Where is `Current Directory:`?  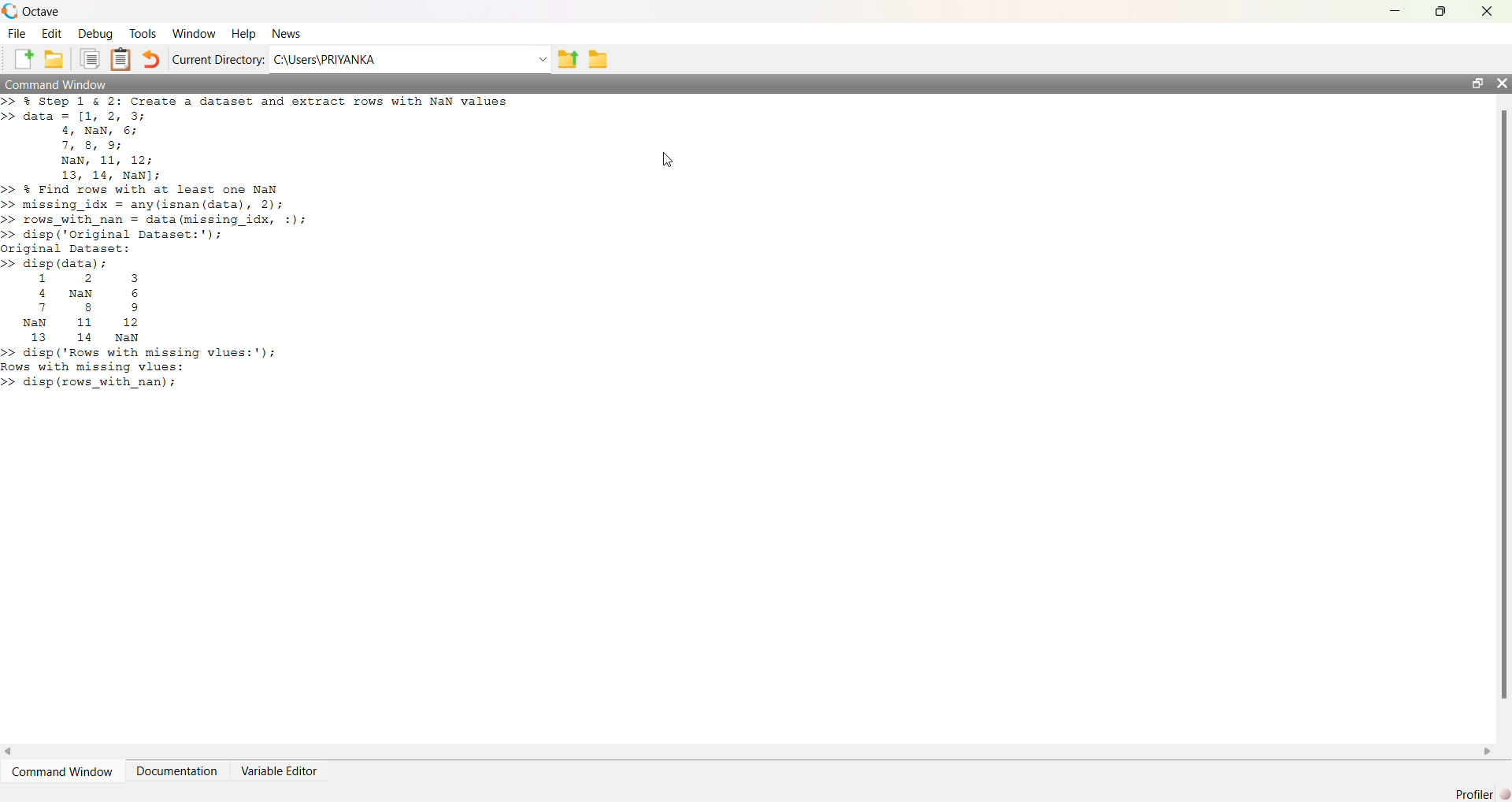
Current Directory: is located at coordinates (219, 59).